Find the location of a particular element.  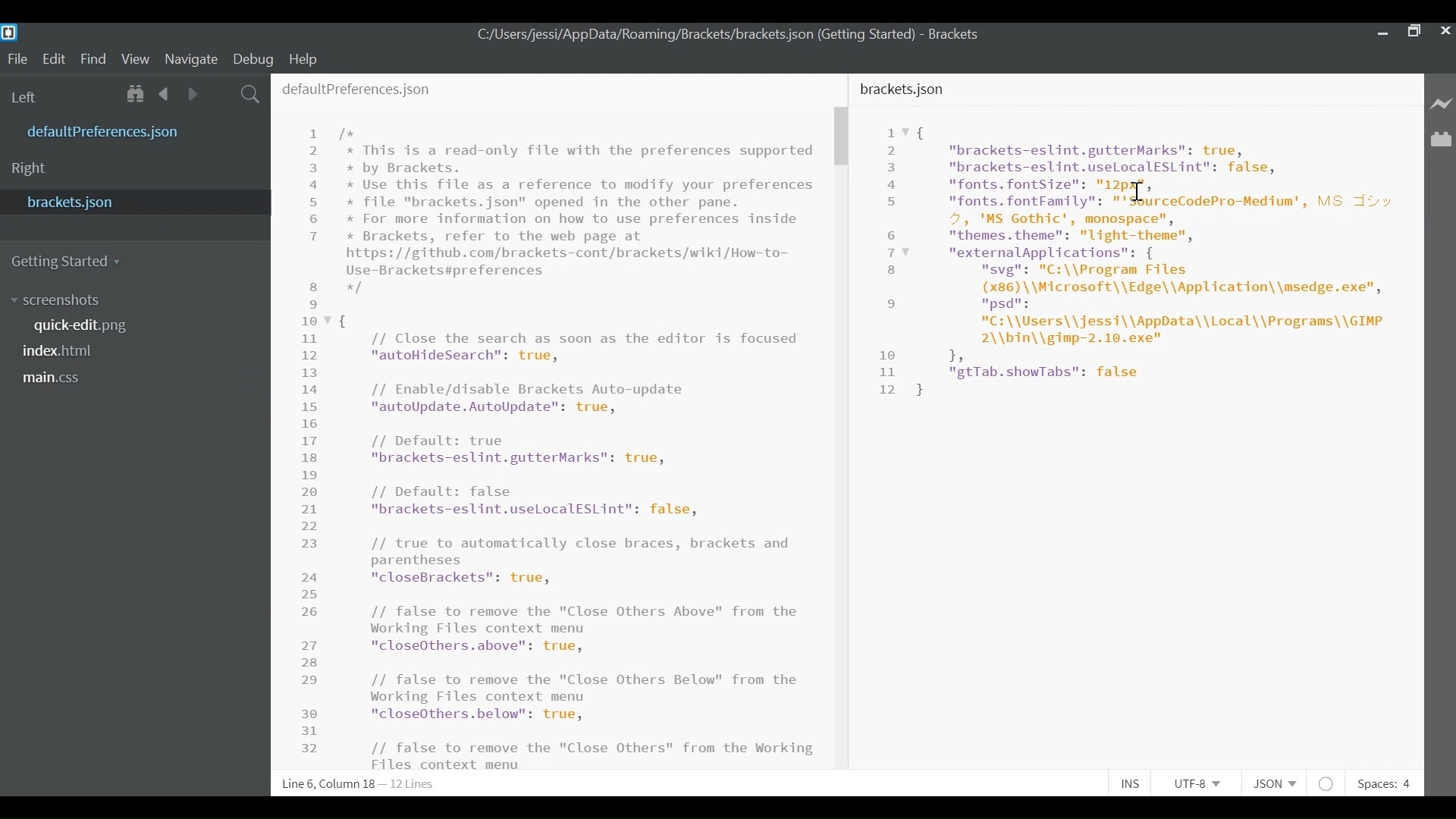

No lintel Available for JSON is located at coordinates (1330, 783).